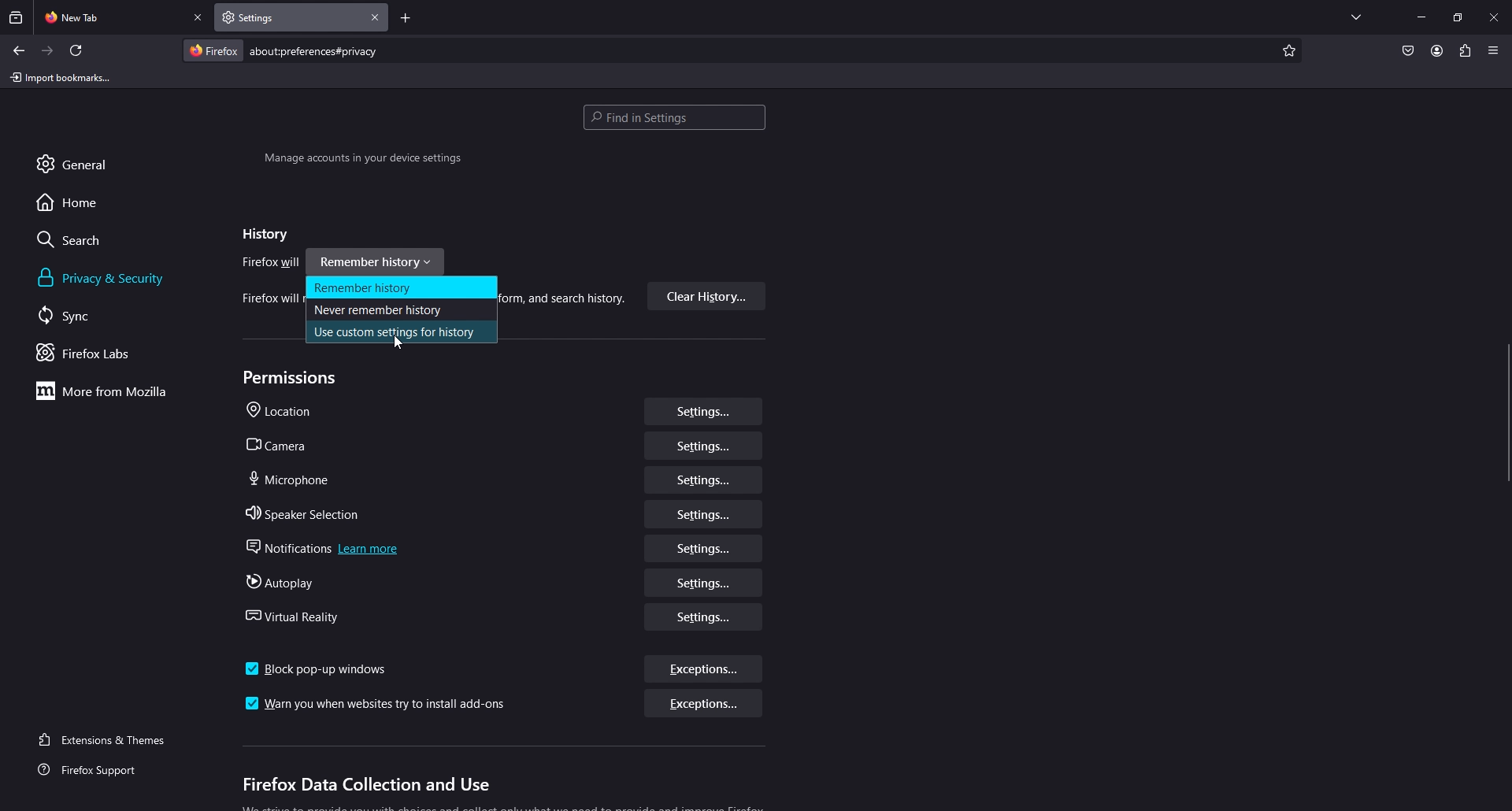  I want to click on firefox labs, so click(106, 353).